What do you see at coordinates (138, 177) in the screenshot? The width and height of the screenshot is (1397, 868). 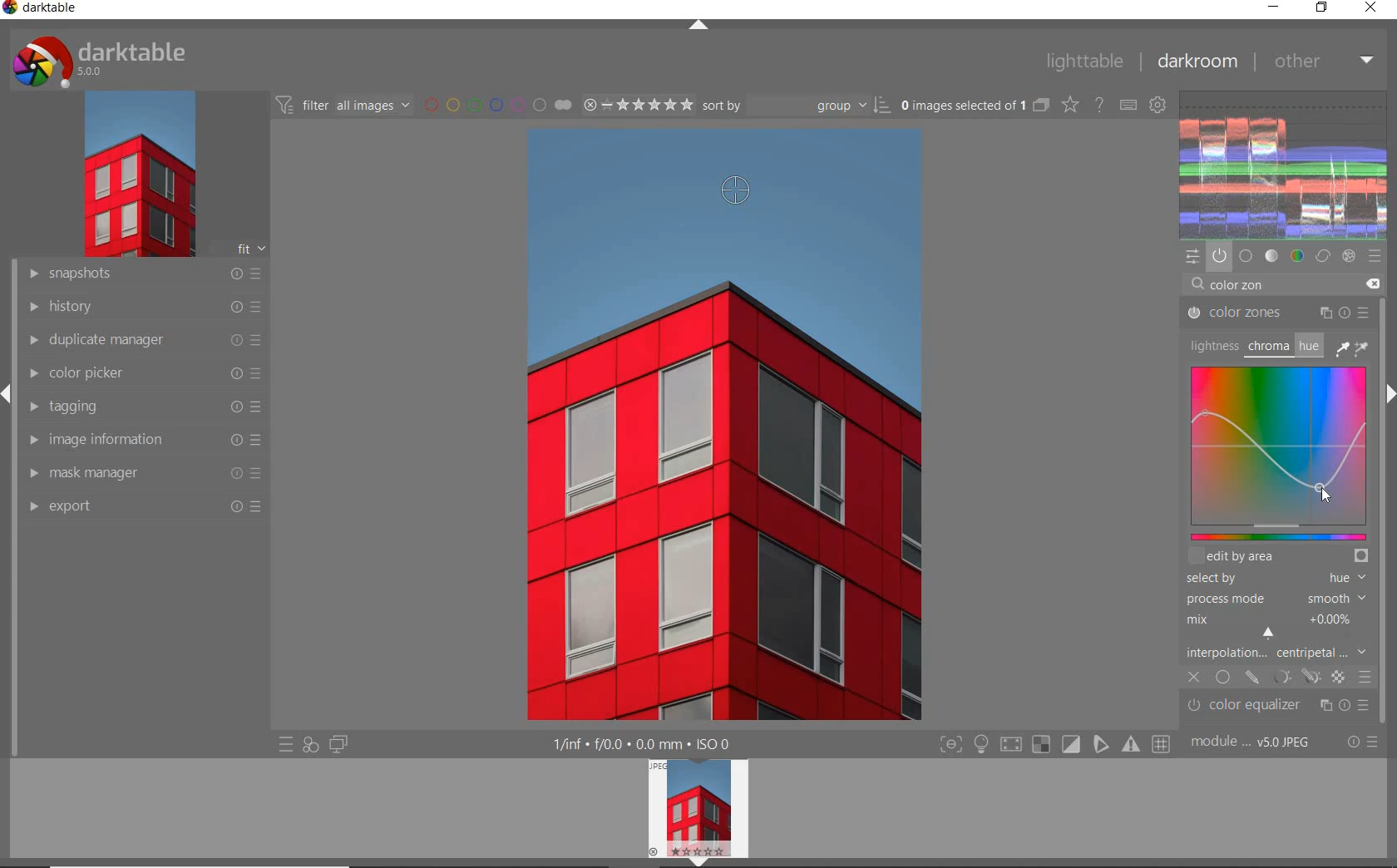 I see `image` at bounding box center [138, 177].